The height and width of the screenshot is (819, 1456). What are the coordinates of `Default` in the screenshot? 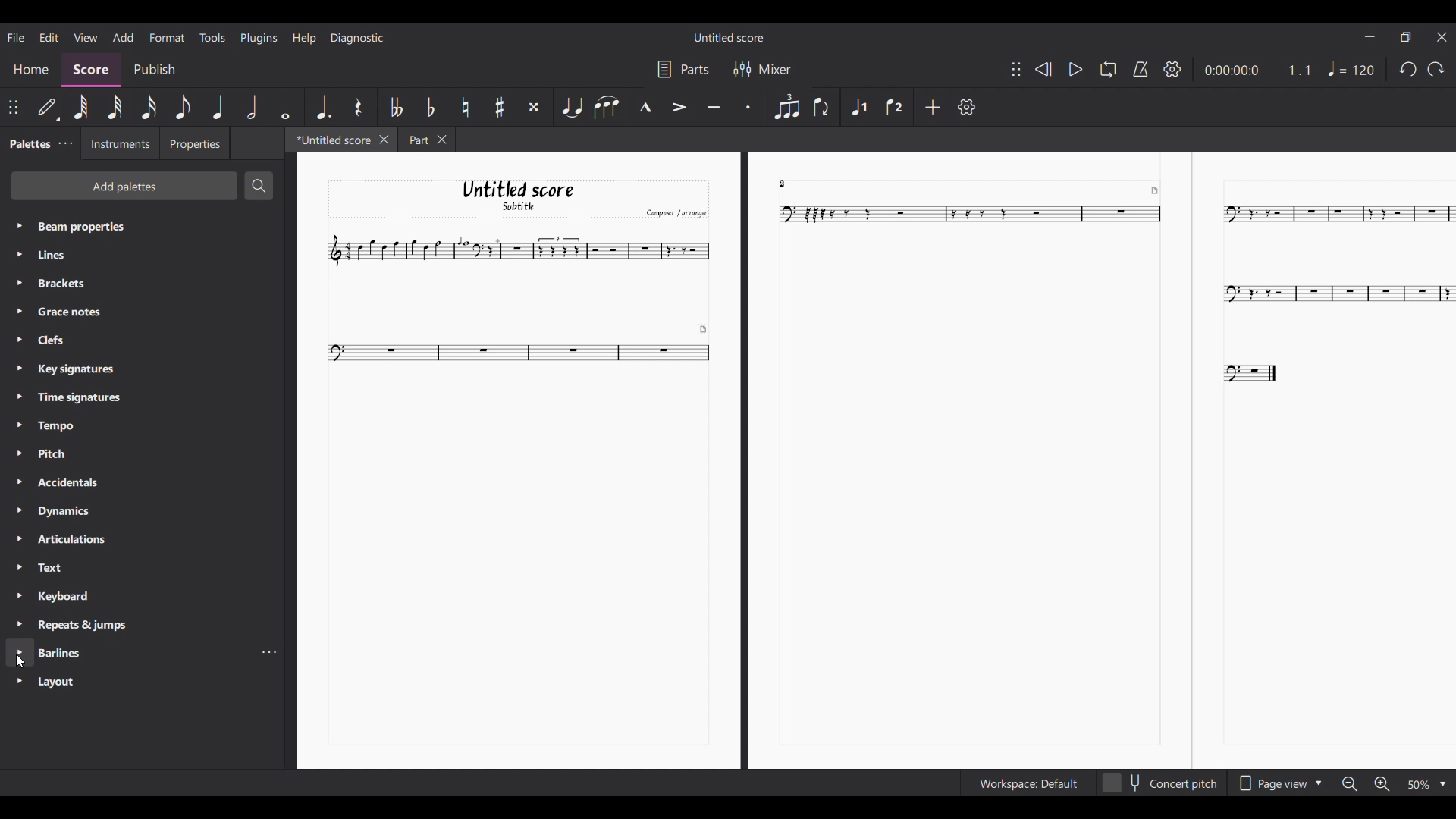 It's located at (48, 108).